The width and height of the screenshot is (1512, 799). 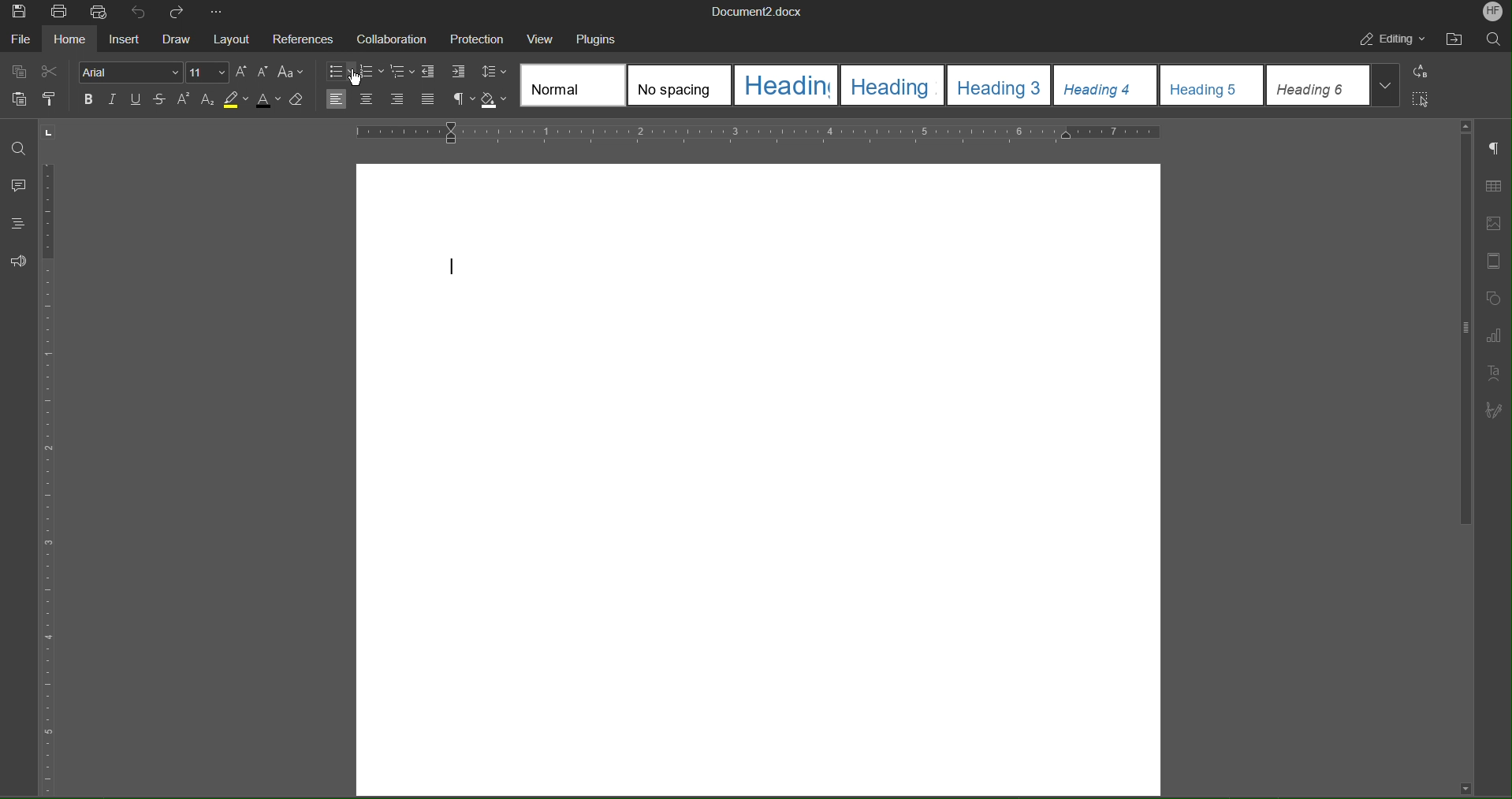 What do you see at coordinates (496, 96) in the screenshot?
I see `Shadow` at bounding box center [496, 96].